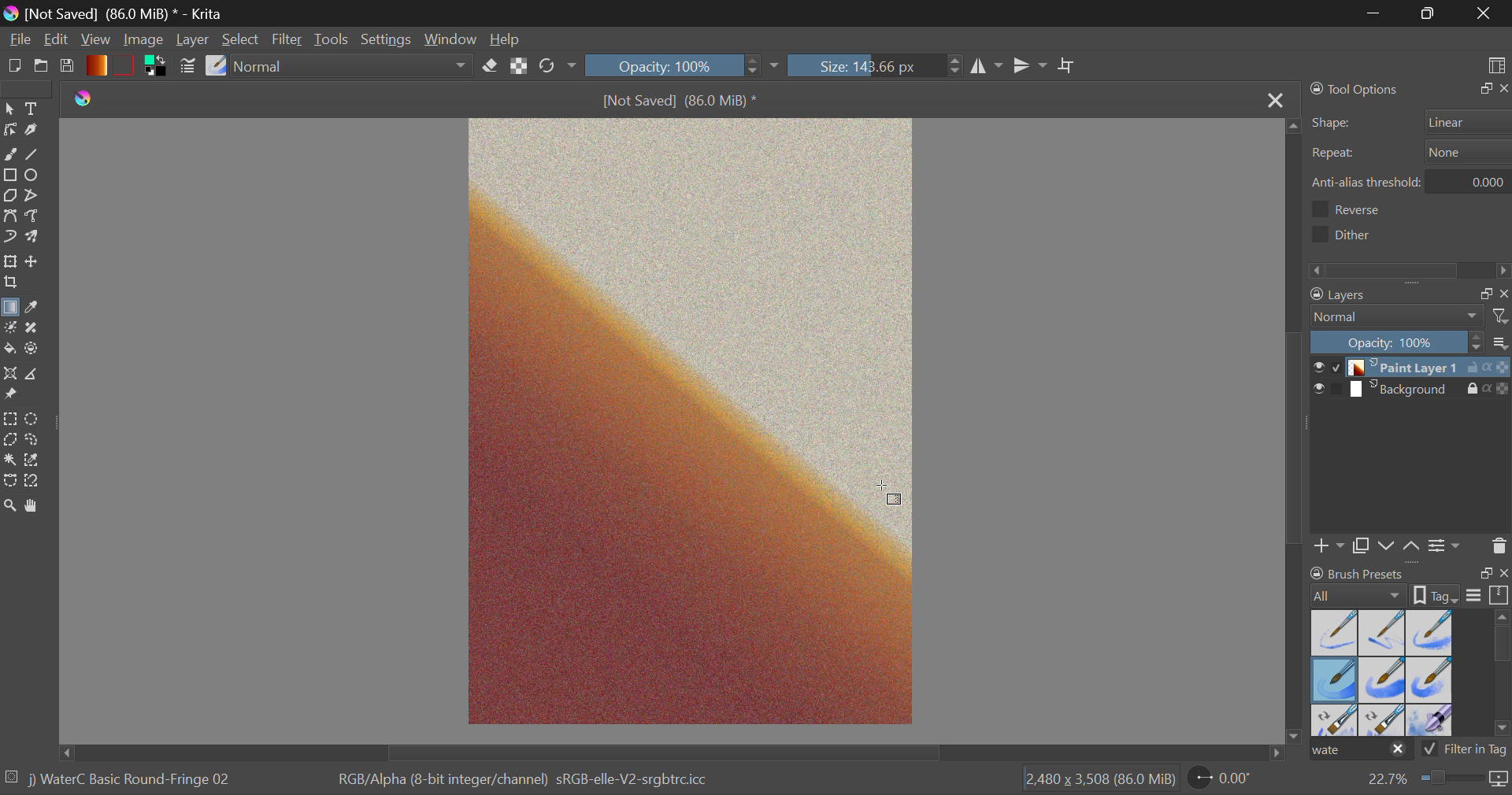 This screenshot has width=1512, height=795. Describe the element at coordinates (1447, 544) in the screenshot. I see `settings` at that location.